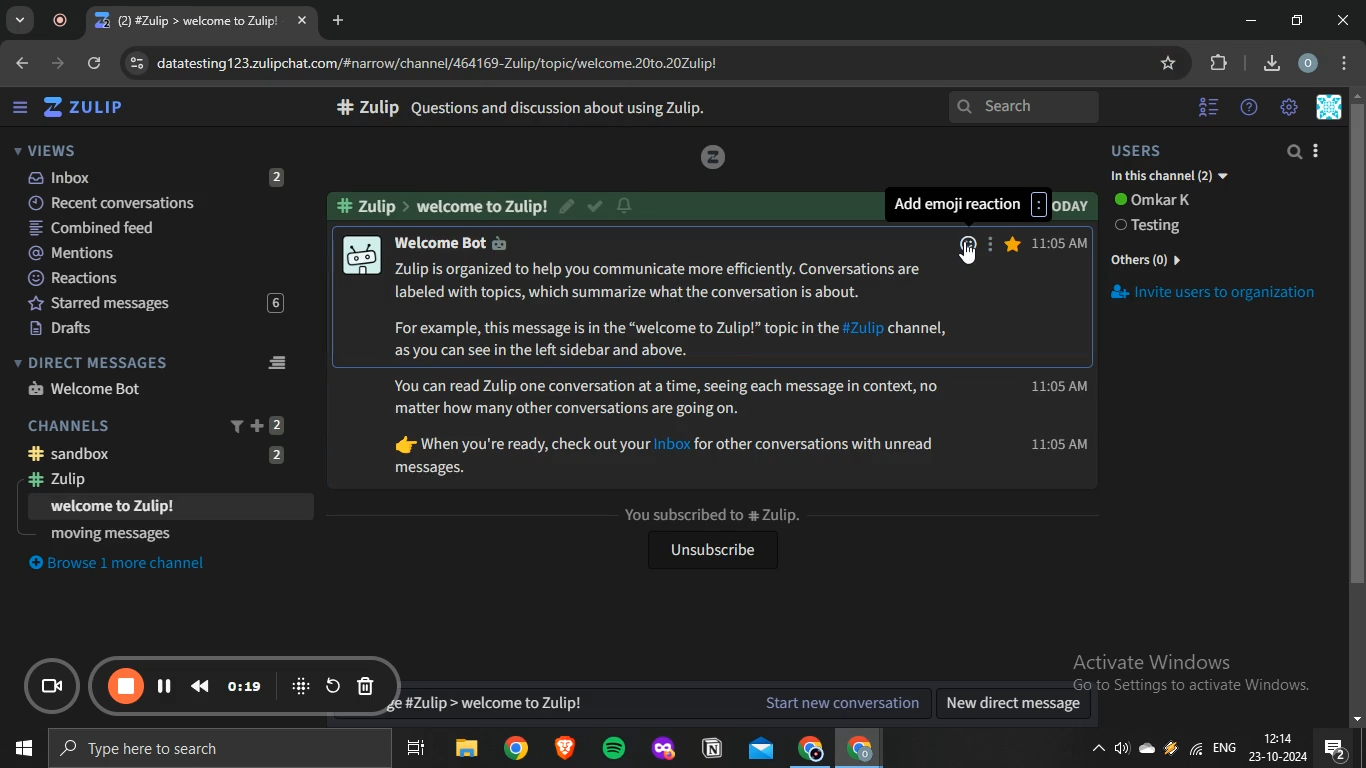 The height and width of the screenshot is (768, 1366). Describe the element at coordinates (154, 279) in the screenshot. I see `reactions` at that location.